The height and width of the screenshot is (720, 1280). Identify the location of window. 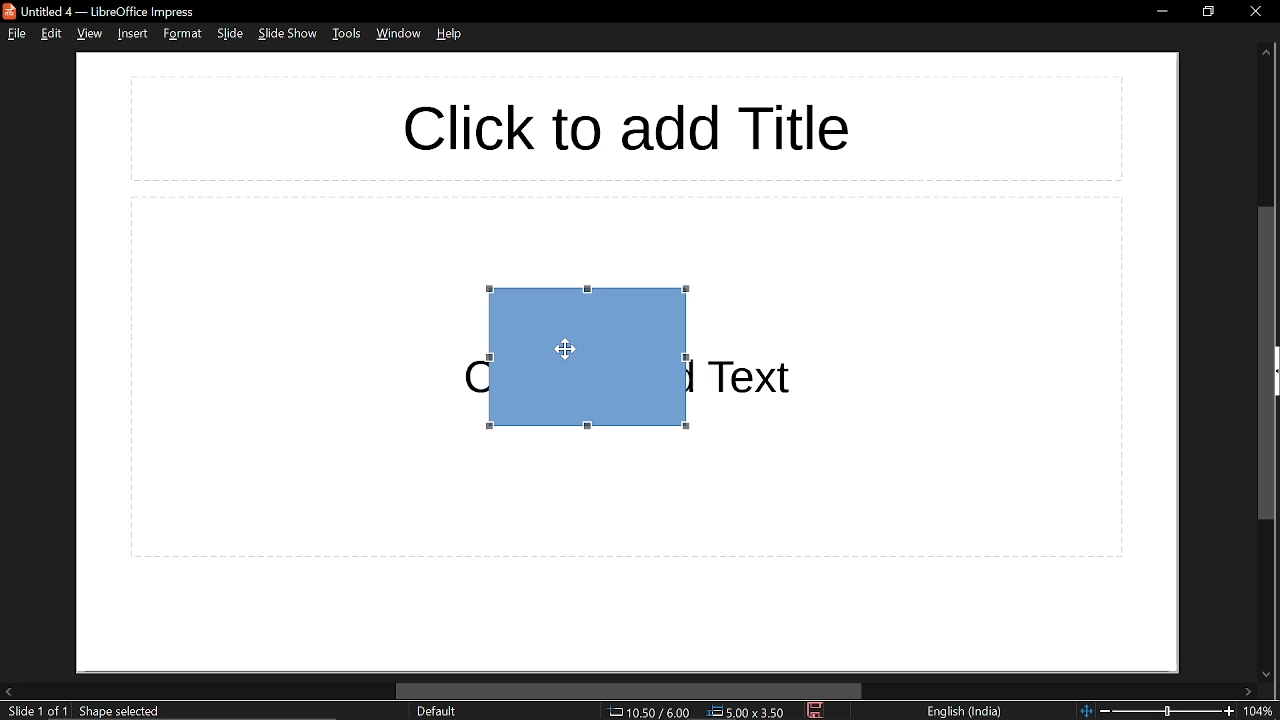
(398, 34).